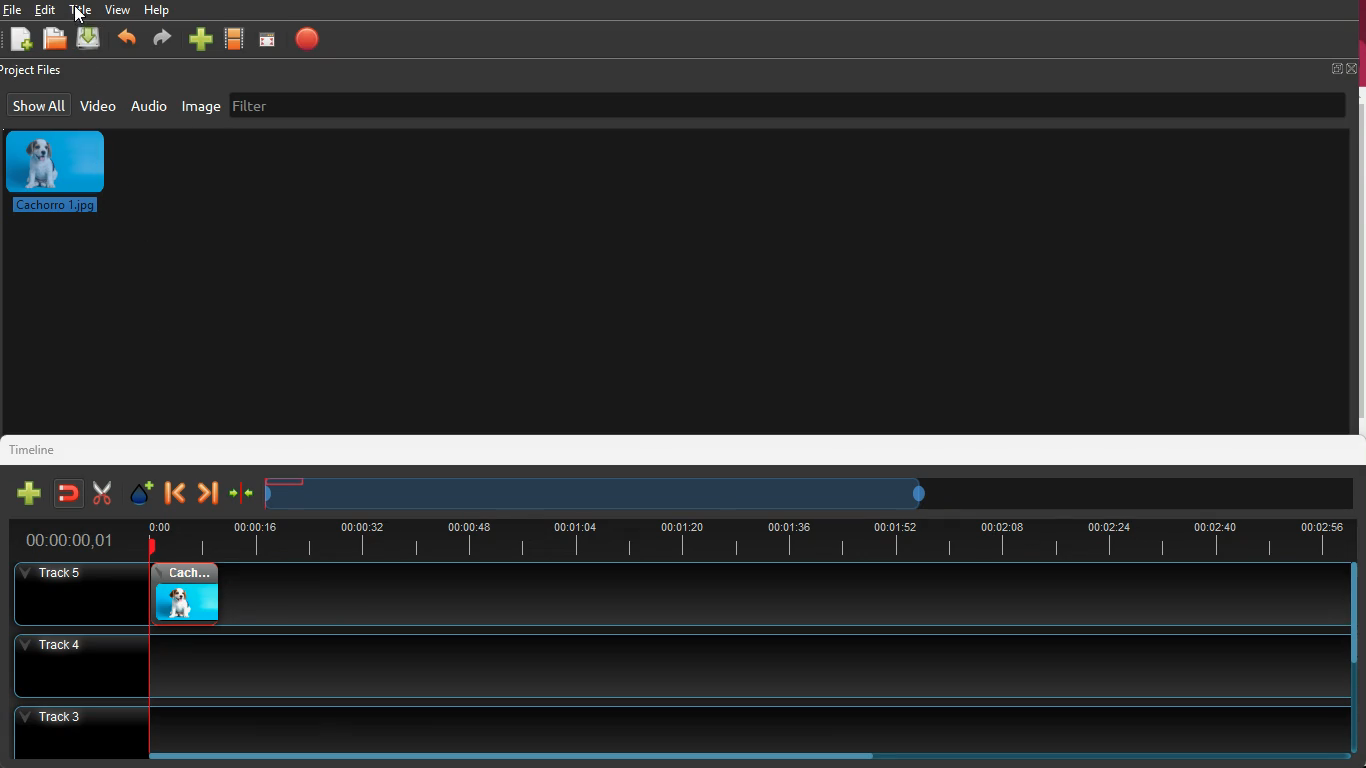 The image size is (1366, 768). What do you see at coordinates (39, 105) in the screenshot?
I see `show all` at bounding box center [39, 105].